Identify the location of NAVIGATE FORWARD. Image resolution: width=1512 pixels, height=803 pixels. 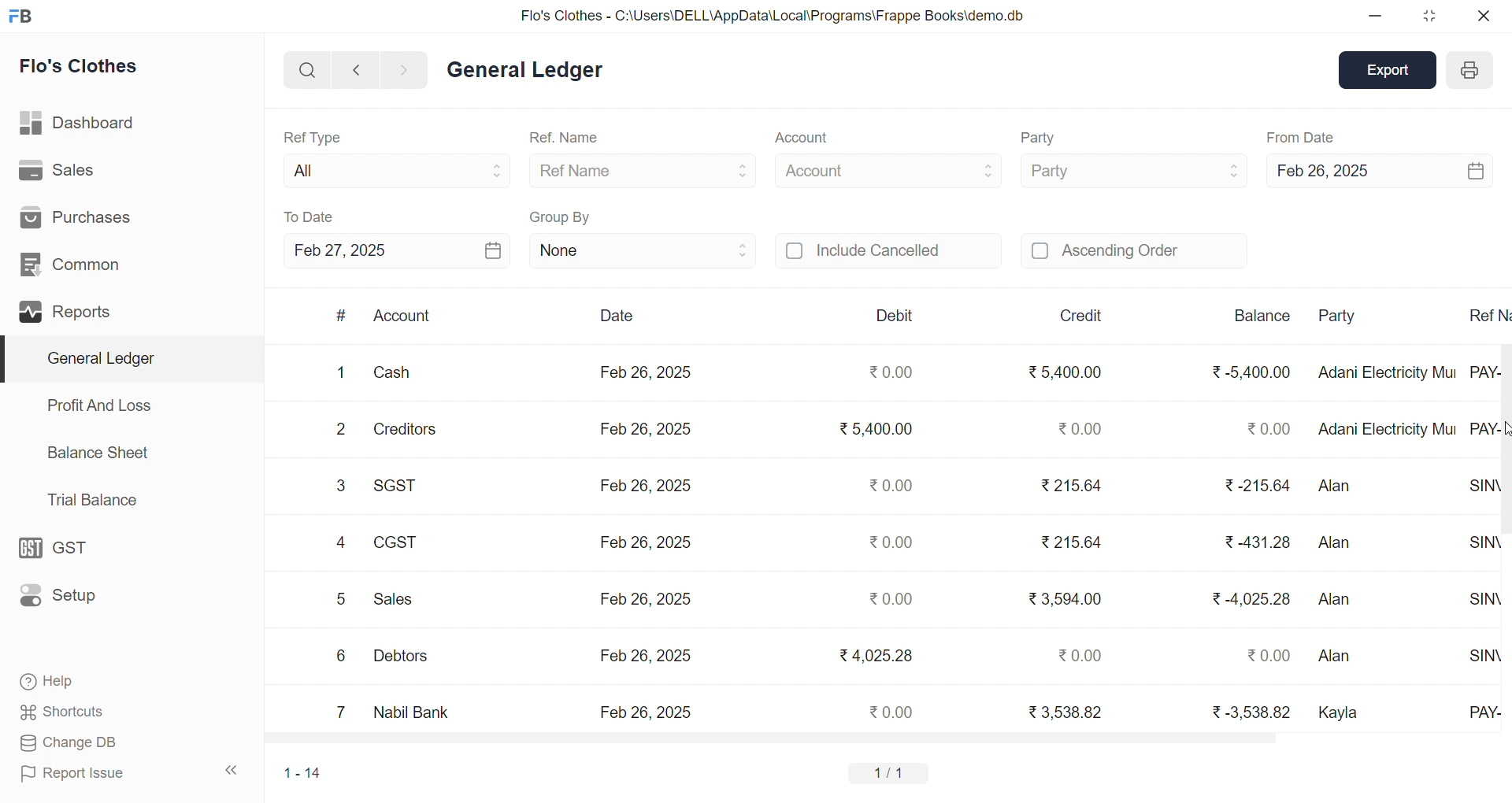
(410, 68).